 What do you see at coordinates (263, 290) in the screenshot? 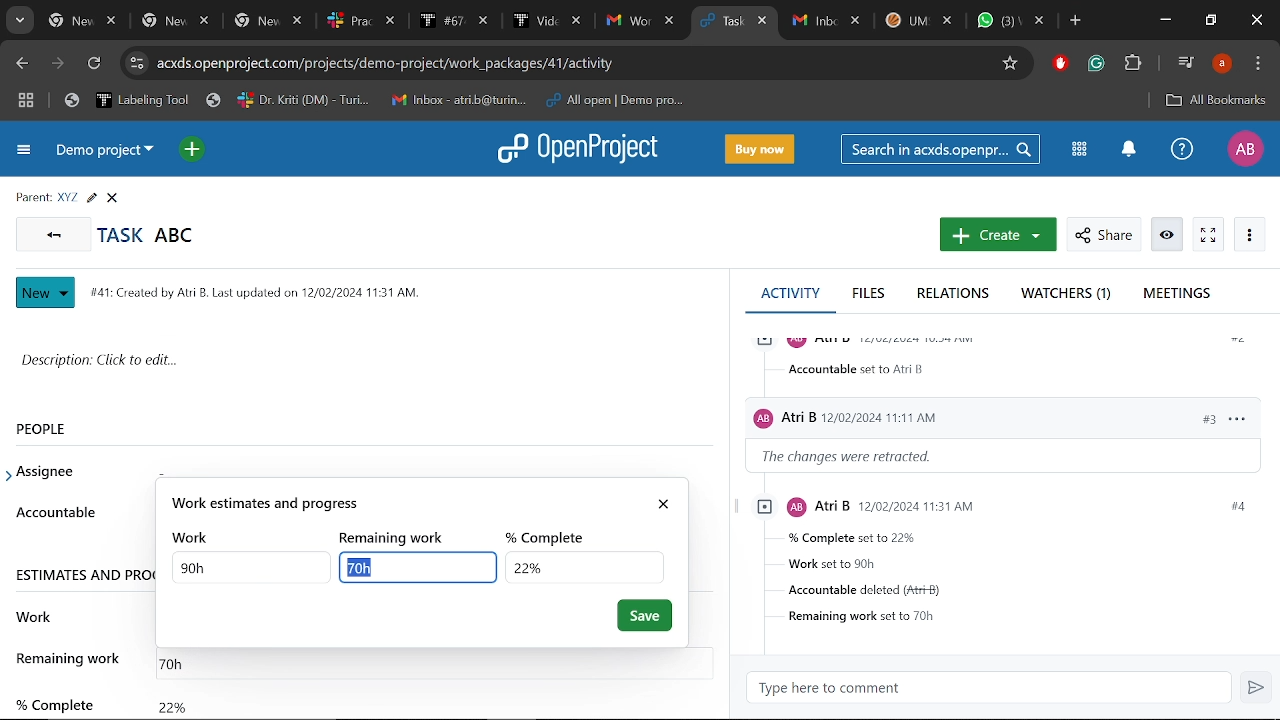
I see `task info` at bounding box center [263, 290].